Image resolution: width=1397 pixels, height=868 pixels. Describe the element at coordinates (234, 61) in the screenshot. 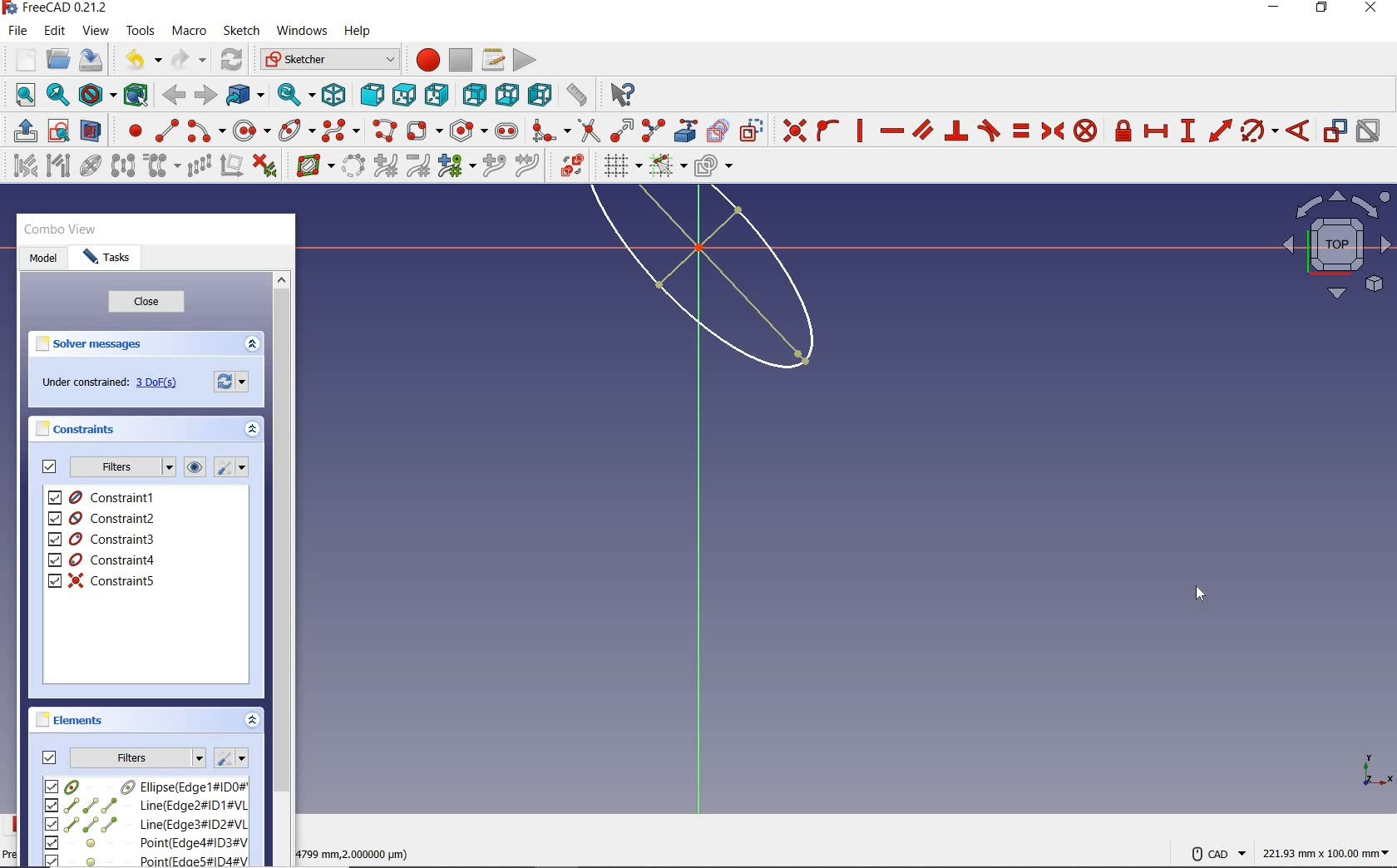

I see `refresh` at that location.